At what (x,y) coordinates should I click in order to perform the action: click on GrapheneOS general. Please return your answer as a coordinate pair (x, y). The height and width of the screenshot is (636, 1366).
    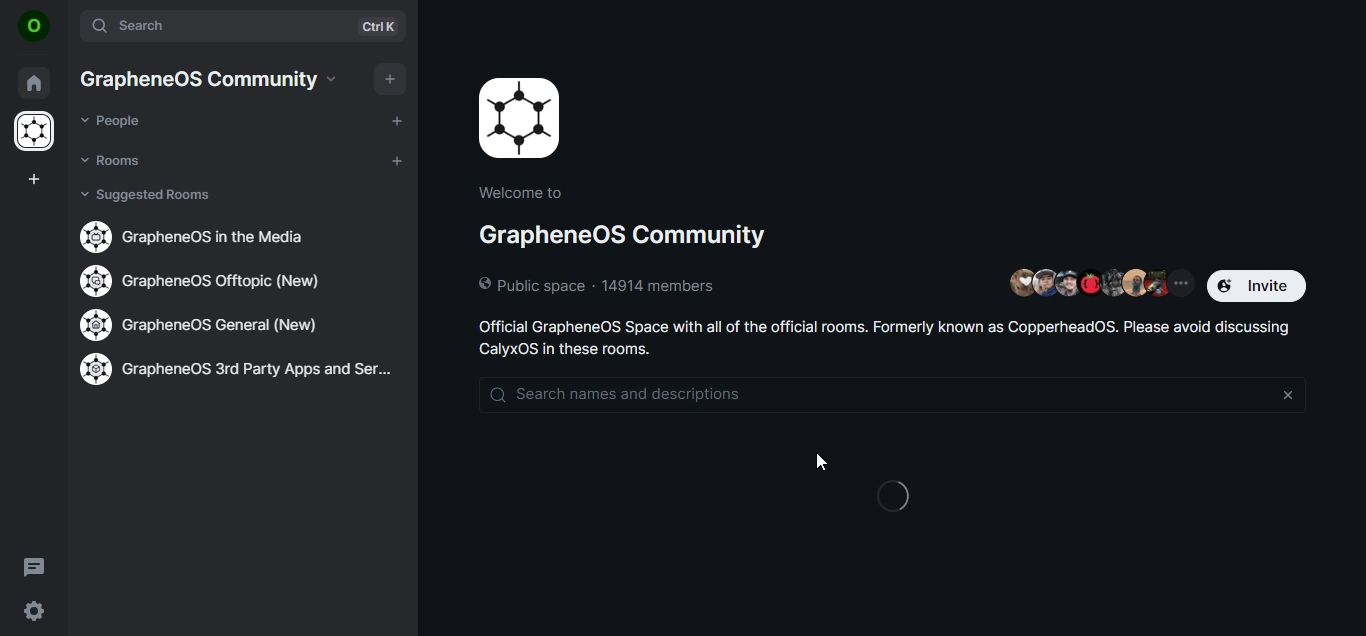
    Looking at the image, I should click on (201, 324).